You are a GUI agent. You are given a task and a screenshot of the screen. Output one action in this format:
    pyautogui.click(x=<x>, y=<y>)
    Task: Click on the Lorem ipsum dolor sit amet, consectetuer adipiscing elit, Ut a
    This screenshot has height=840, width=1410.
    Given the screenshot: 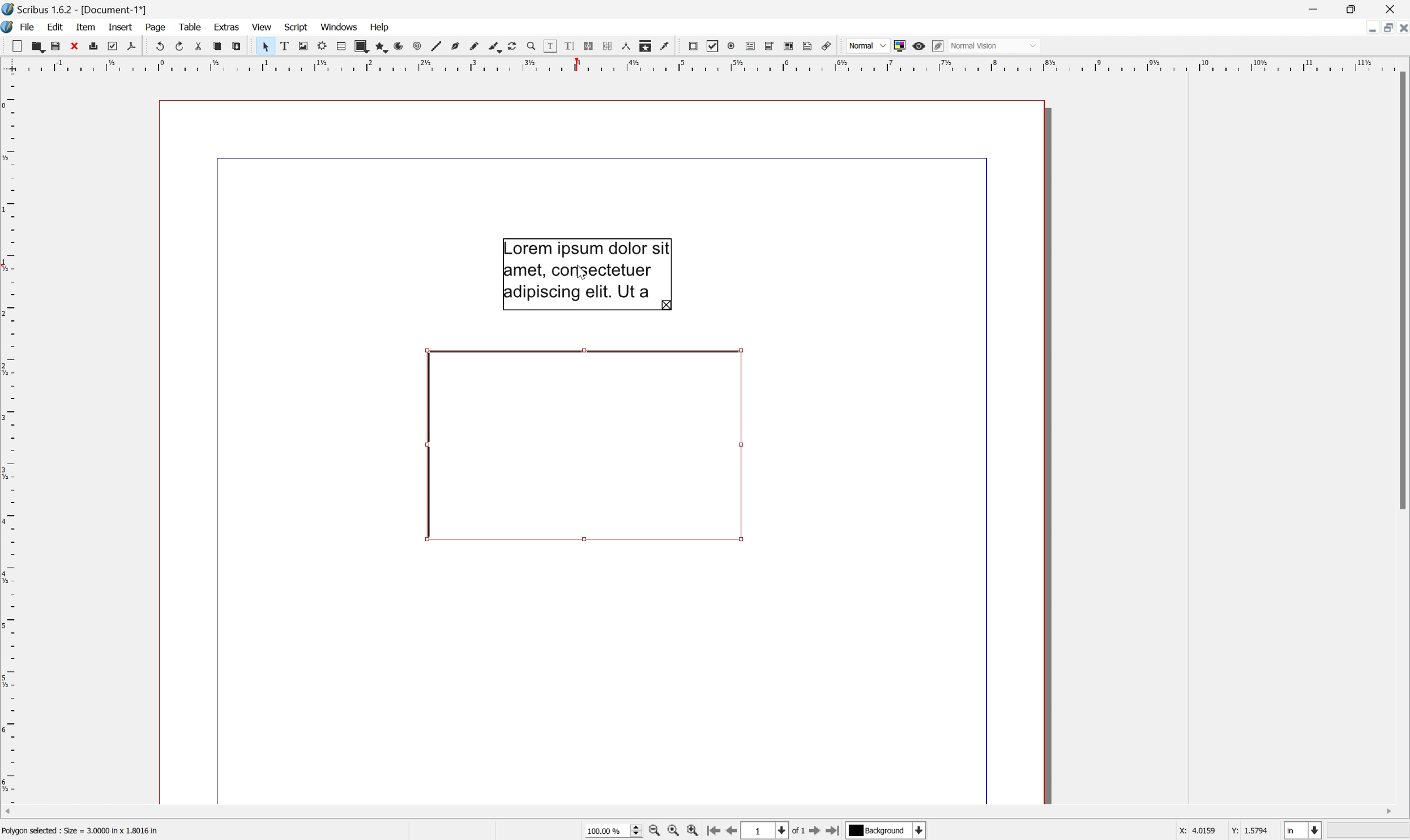 What is the action you would take?
    pyautogui.click(x=588, y=274)
    